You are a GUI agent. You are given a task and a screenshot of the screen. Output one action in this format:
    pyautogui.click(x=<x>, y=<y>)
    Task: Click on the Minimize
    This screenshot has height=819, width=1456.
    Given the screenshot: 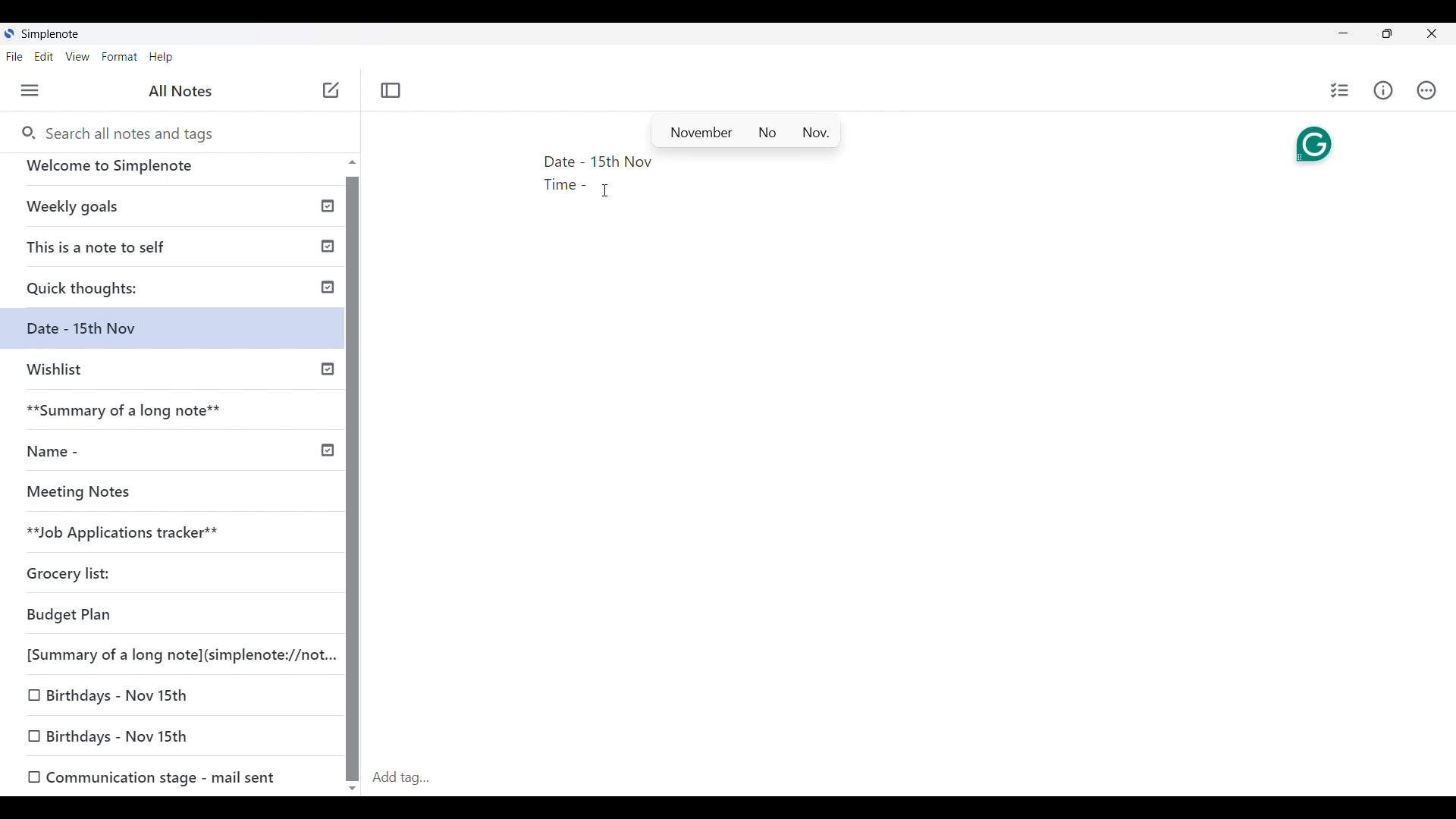 What is the action you would take?
    pyautogui.click(x=1343, y=33)
    